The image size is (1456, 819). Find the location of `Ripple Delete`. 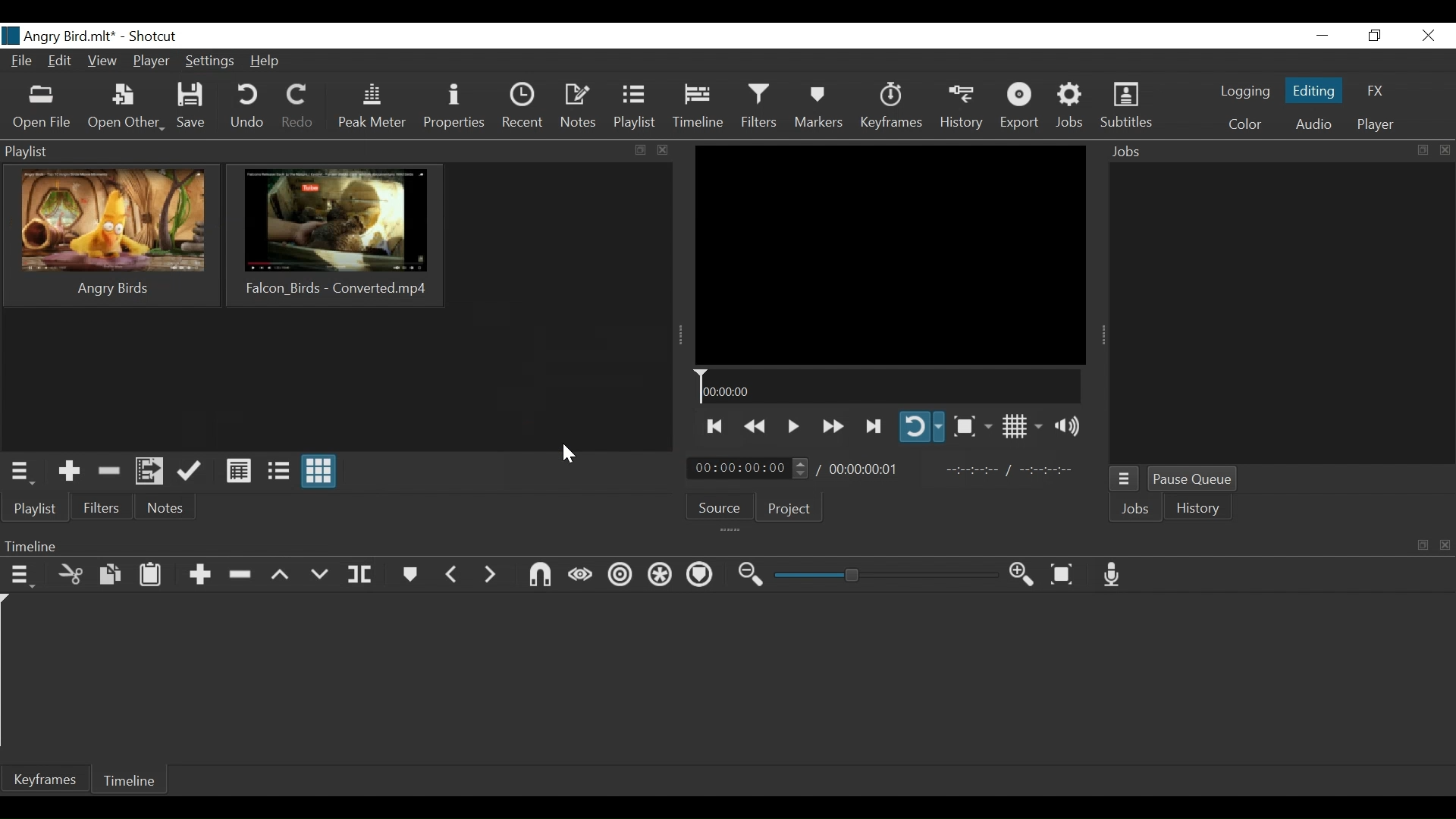

Ripple Delete is located at coordinates (240, 576).